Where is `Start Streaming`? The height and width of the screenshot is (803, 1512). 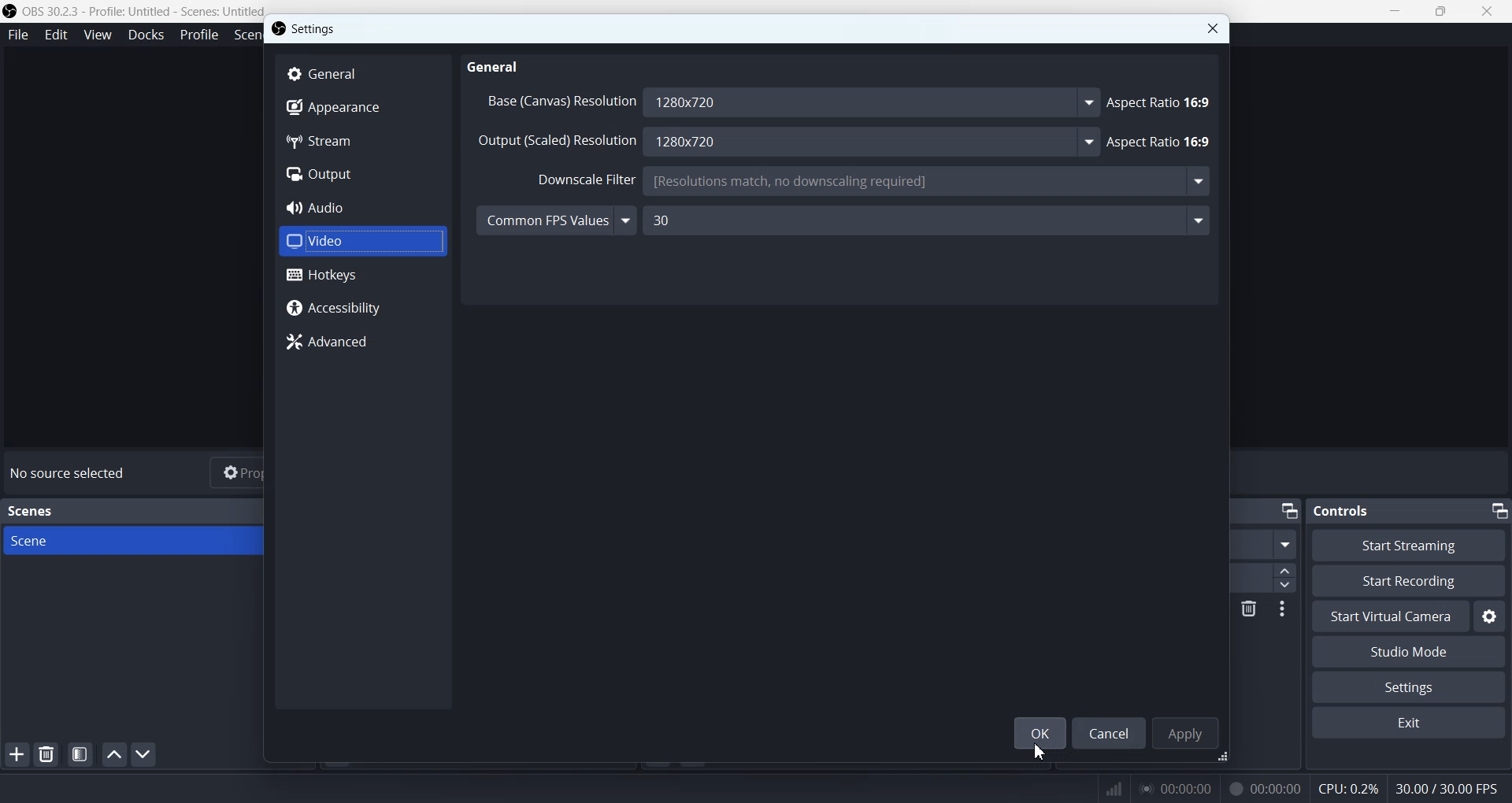
Start Streaming is located at coordinates (1407, 545).